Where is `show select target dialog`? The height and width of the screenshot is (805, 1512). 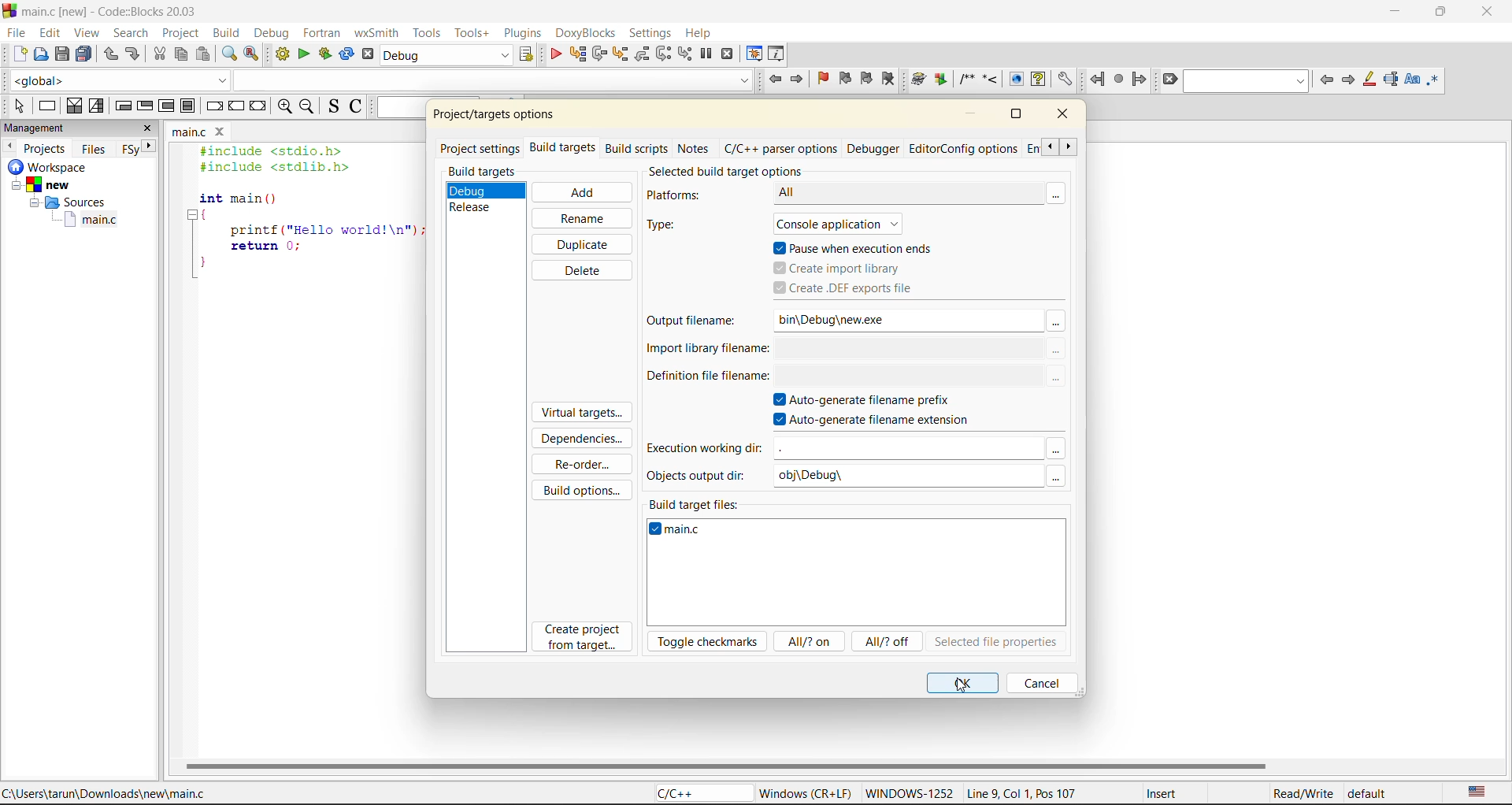
show select target dialog is located at coordinates (528, 55).